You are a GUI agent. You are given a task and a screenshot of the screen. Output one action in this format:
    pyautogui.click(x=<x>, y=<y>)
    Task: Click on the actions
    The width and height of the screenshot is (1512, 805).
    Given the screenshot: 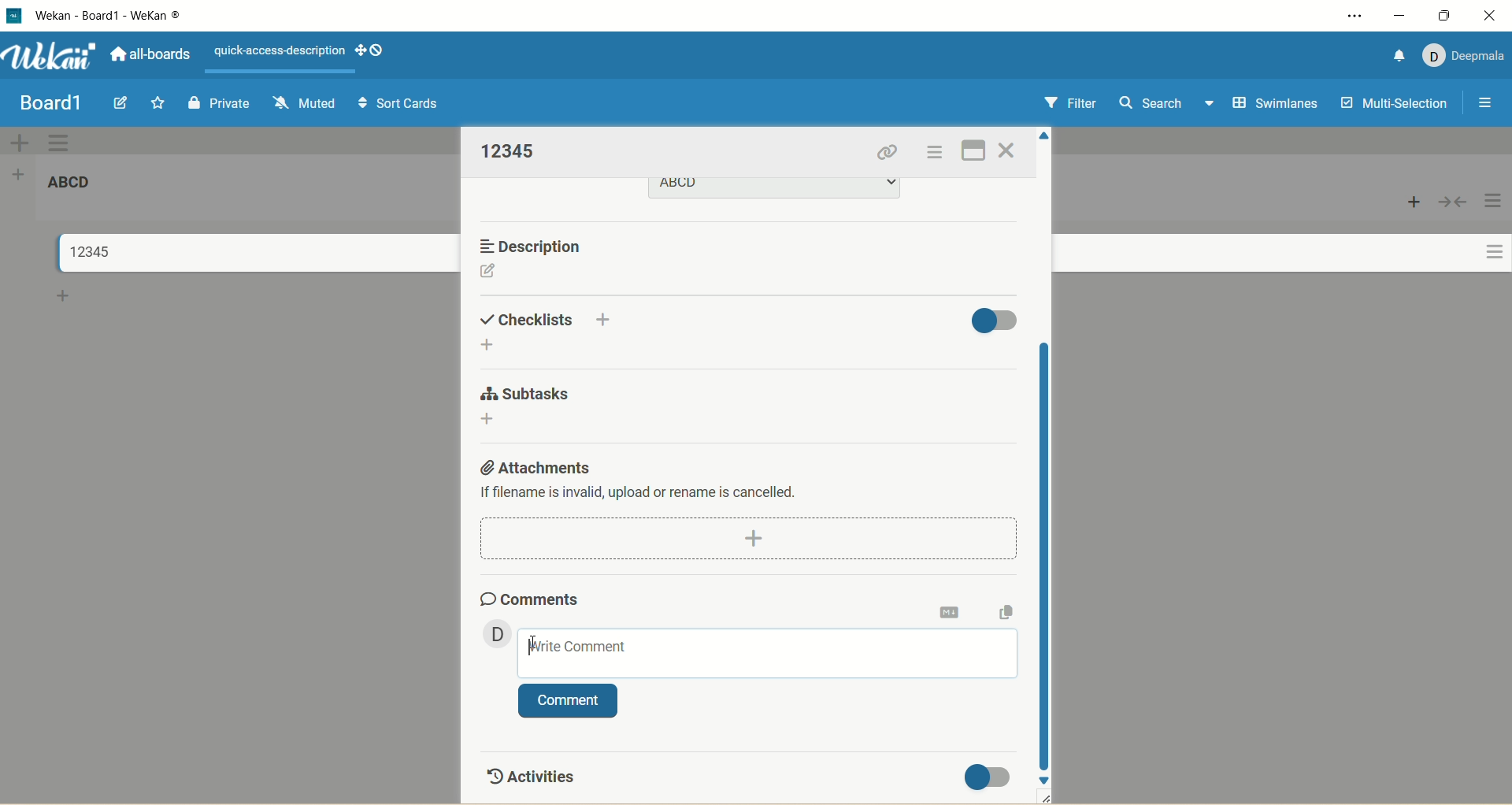 What is the action you would take?
    pyautogui.click(x=932, y=155)
    